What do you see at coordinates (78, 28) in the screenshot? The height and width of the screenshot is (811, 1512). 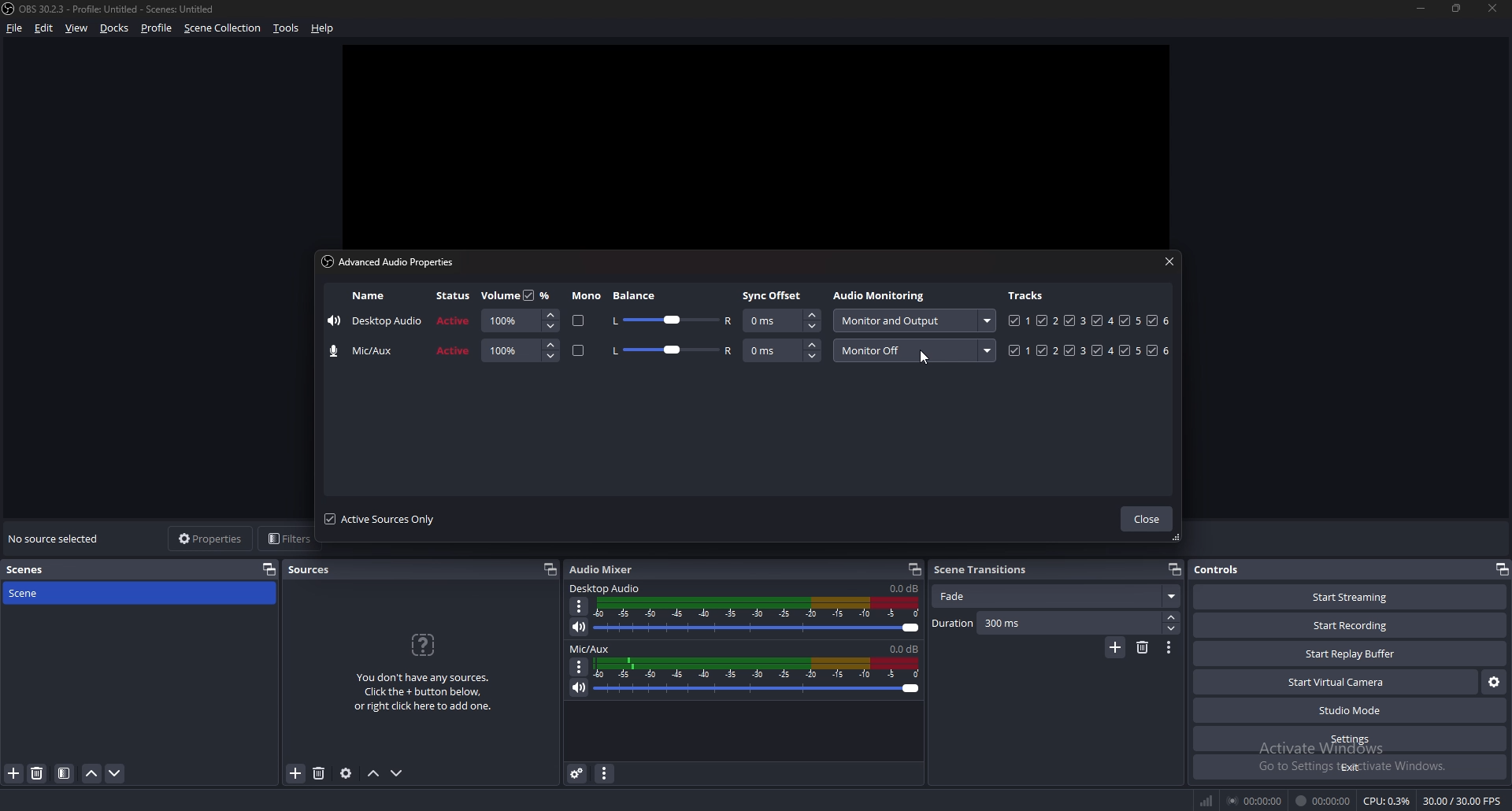 I see `view` at bounding box center [78, 28].